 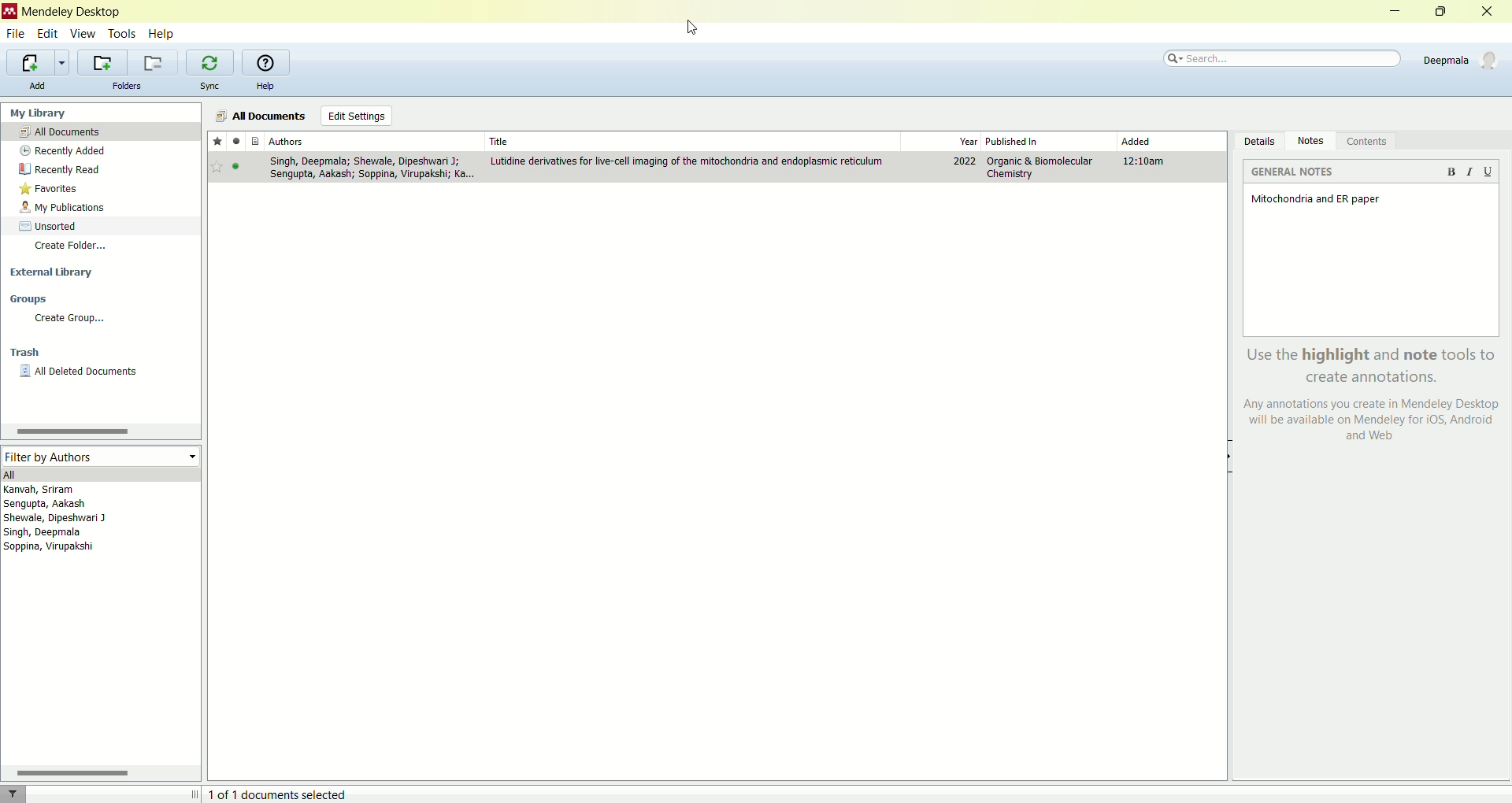 What do you see at coordinates (689, 139) in the screenshot?
I see `Title` at bounding box center [689, 139].